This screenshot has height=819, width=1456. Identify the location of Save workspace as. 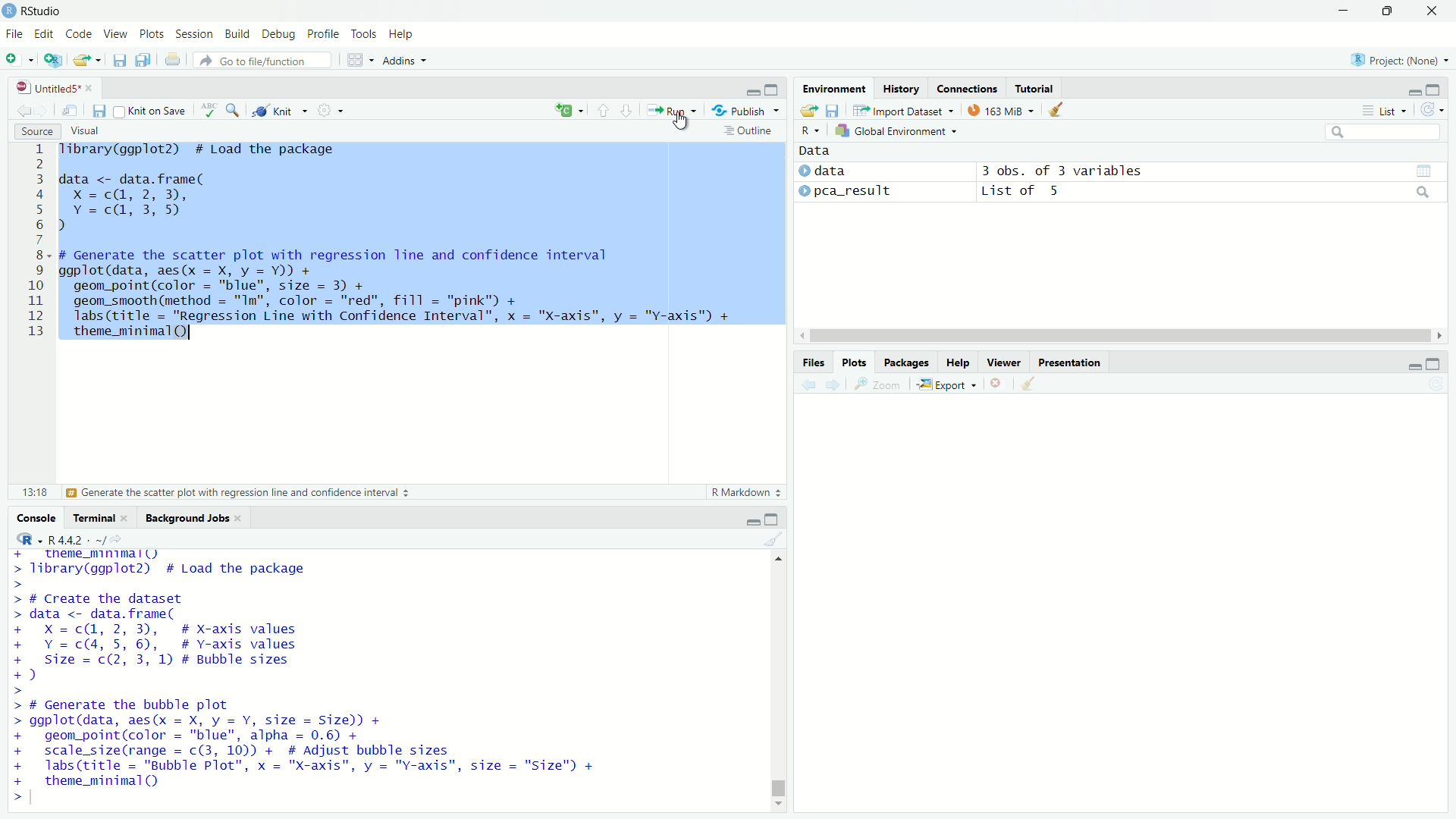
(832, 109).